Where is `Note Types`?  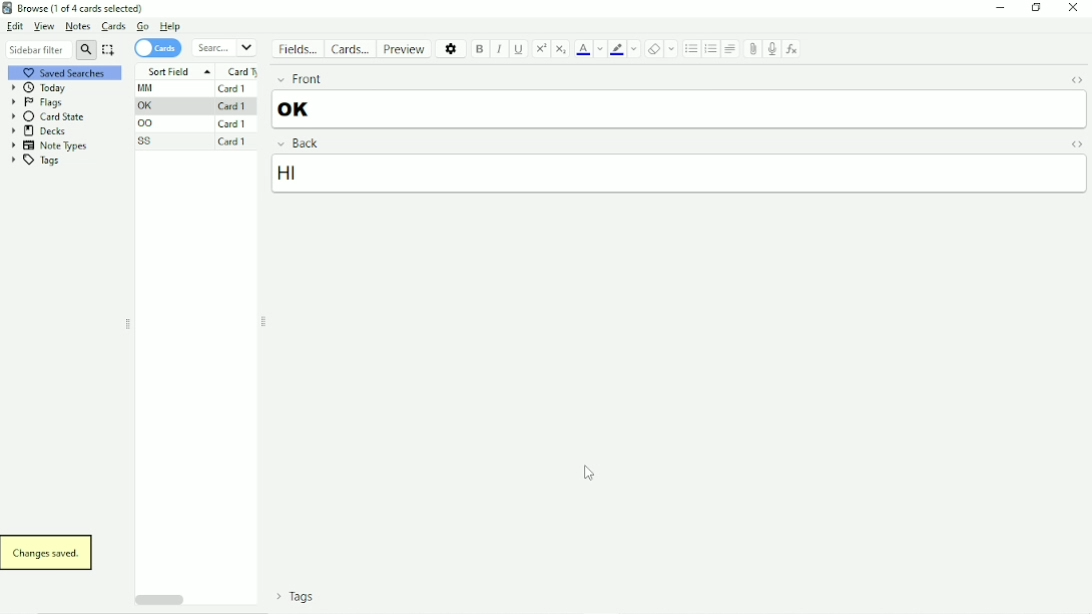 Note Types is located at coordinates (48, 146).